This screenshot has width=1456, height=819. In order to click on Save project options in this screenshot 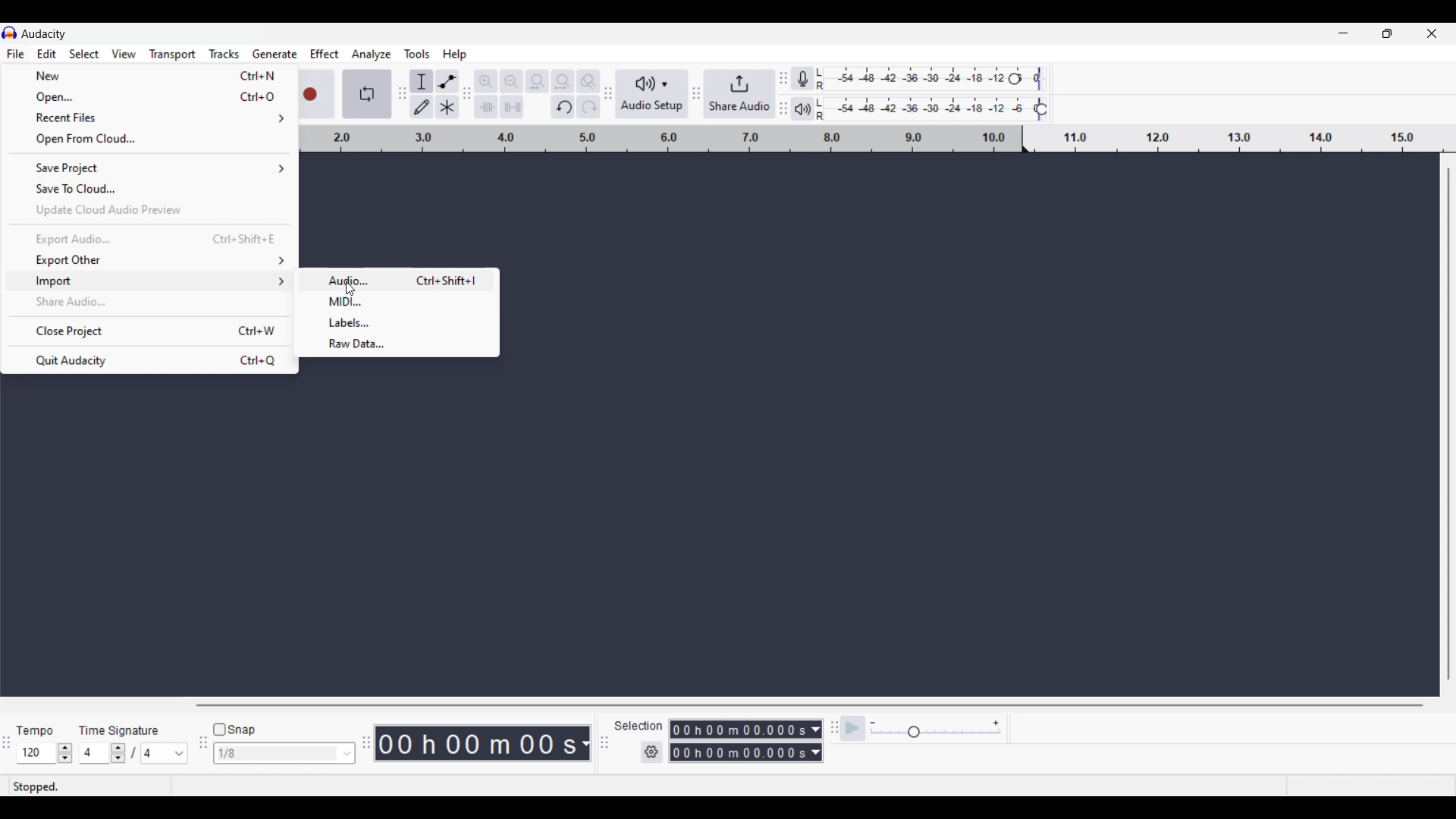, I will do `click(149, 168)`.